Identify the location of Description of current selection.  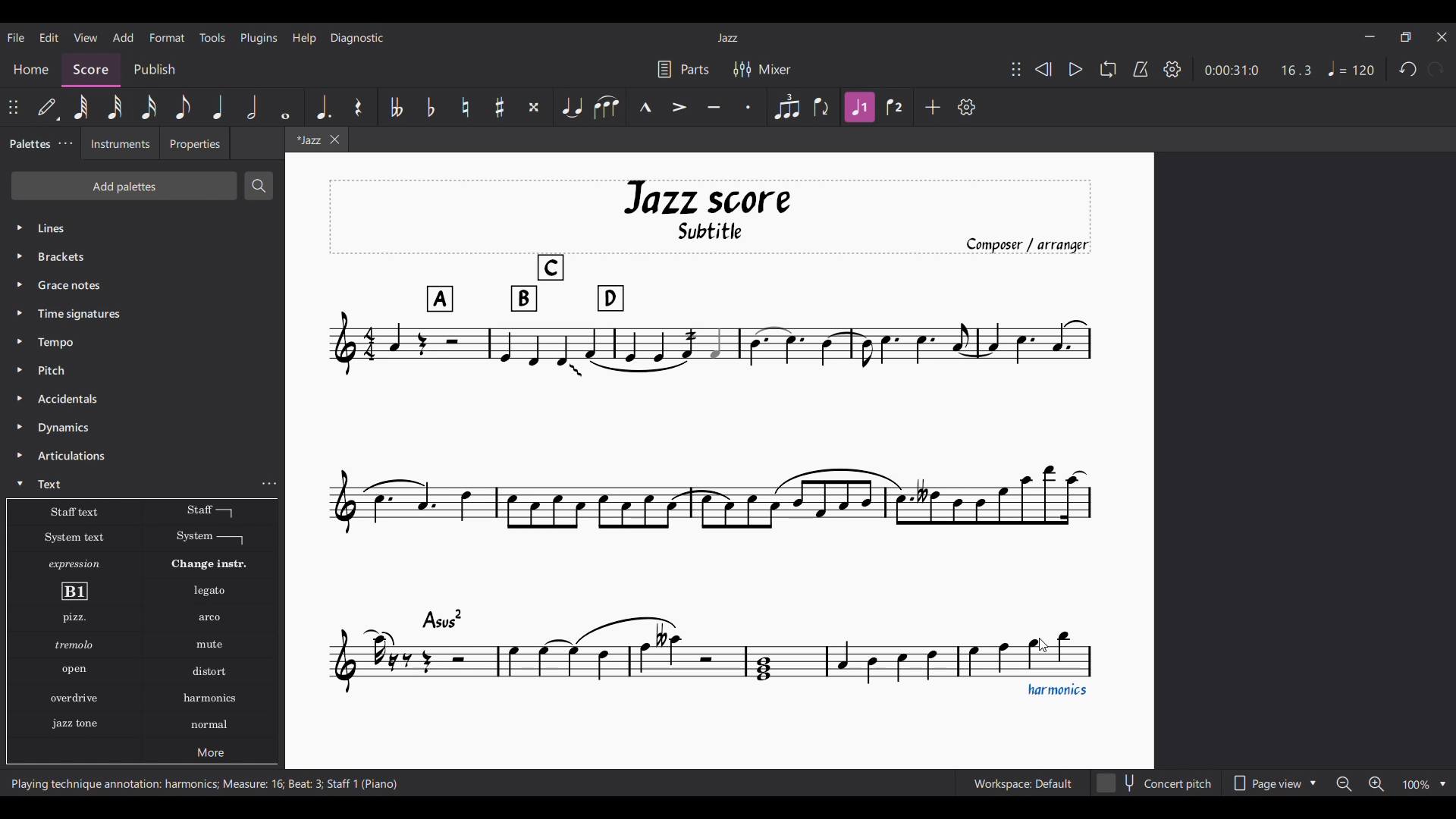
(204, 783).